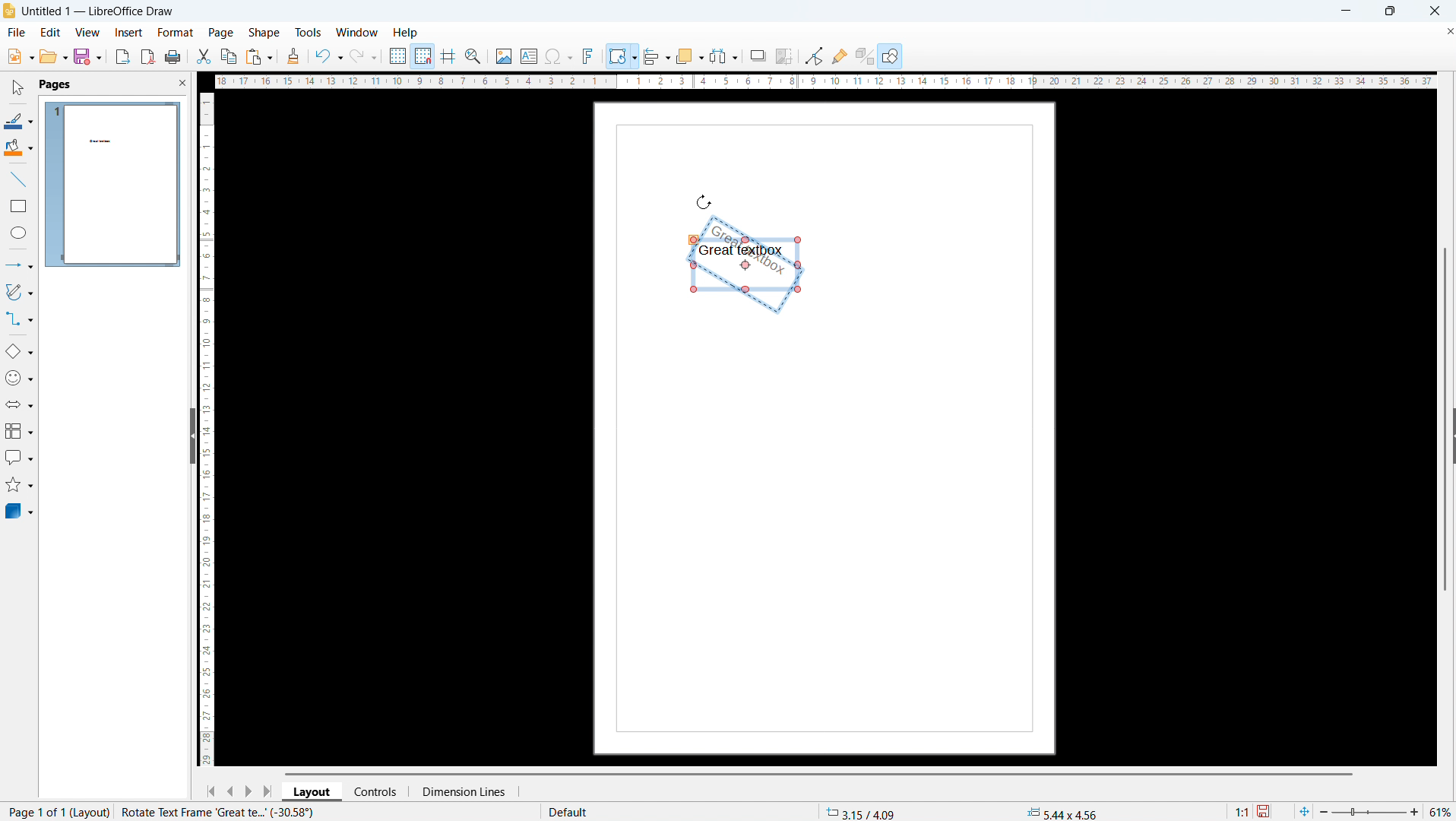  I want to click on line color, so click(19, 119).